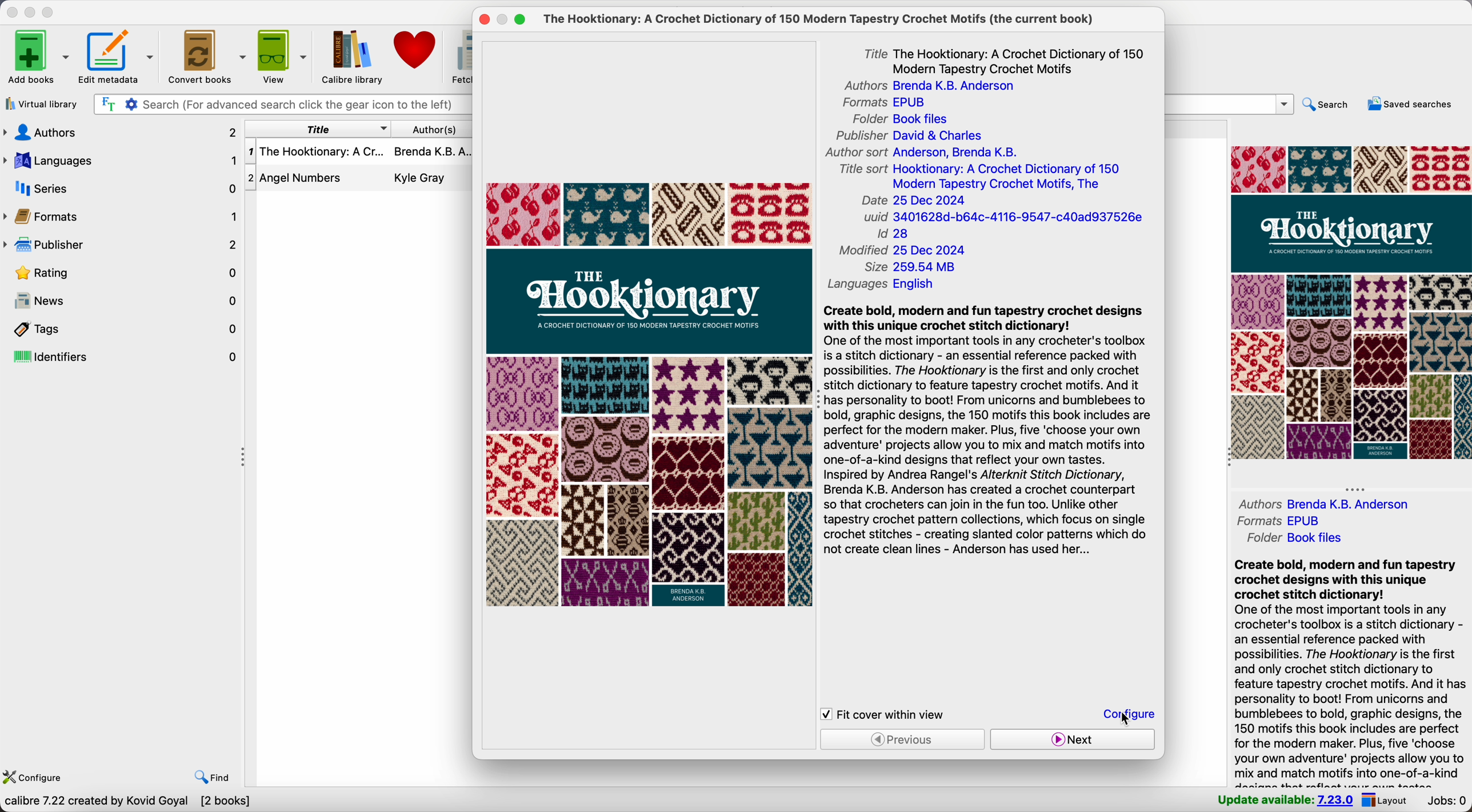 The width and height of the screenshot is (1472, 812). Describe the element at coordinates (919, 151) in the screenshot. I see `author sort` at that location.